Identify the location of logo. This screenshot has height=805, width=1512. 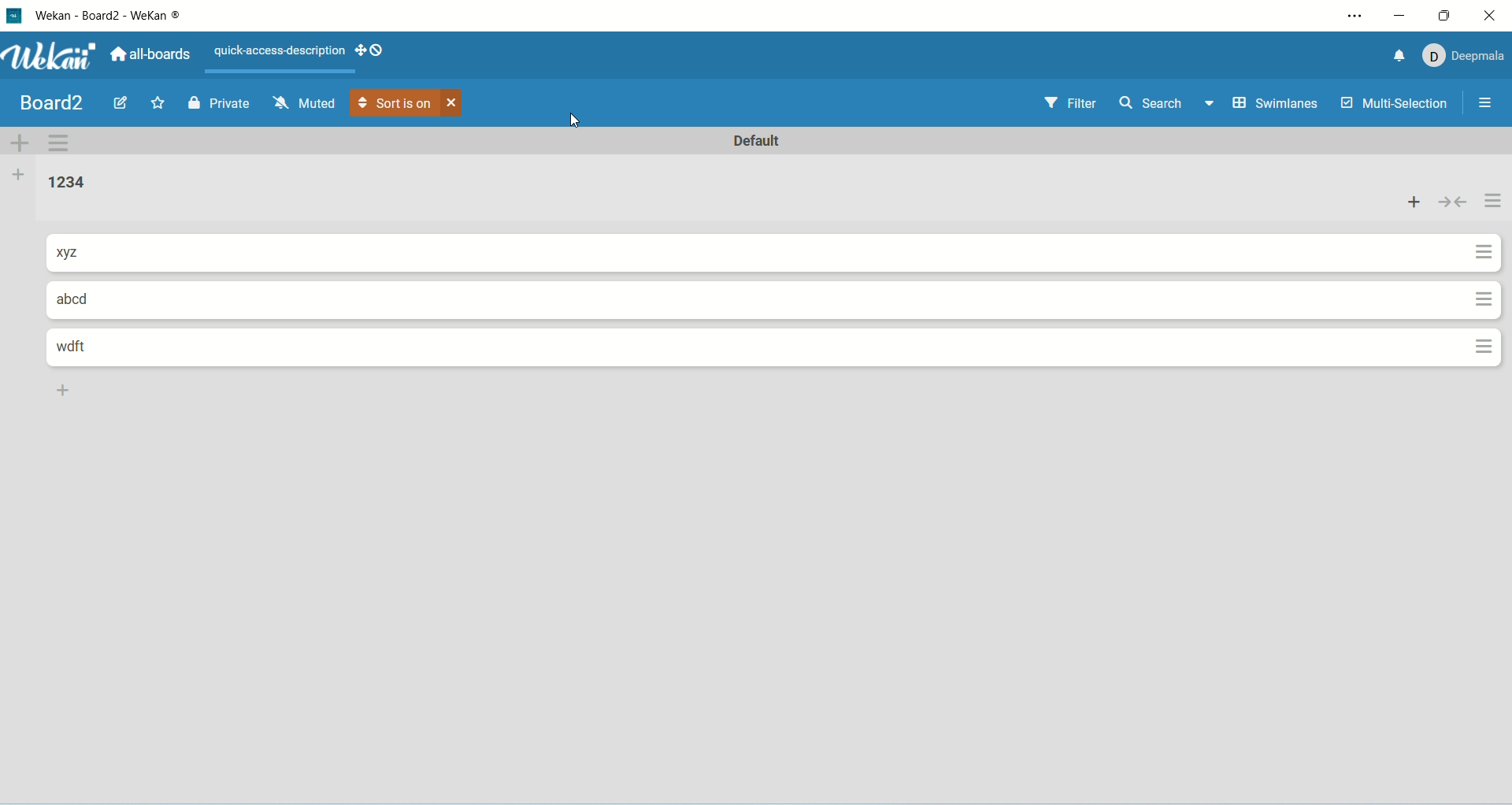
(16, 18).